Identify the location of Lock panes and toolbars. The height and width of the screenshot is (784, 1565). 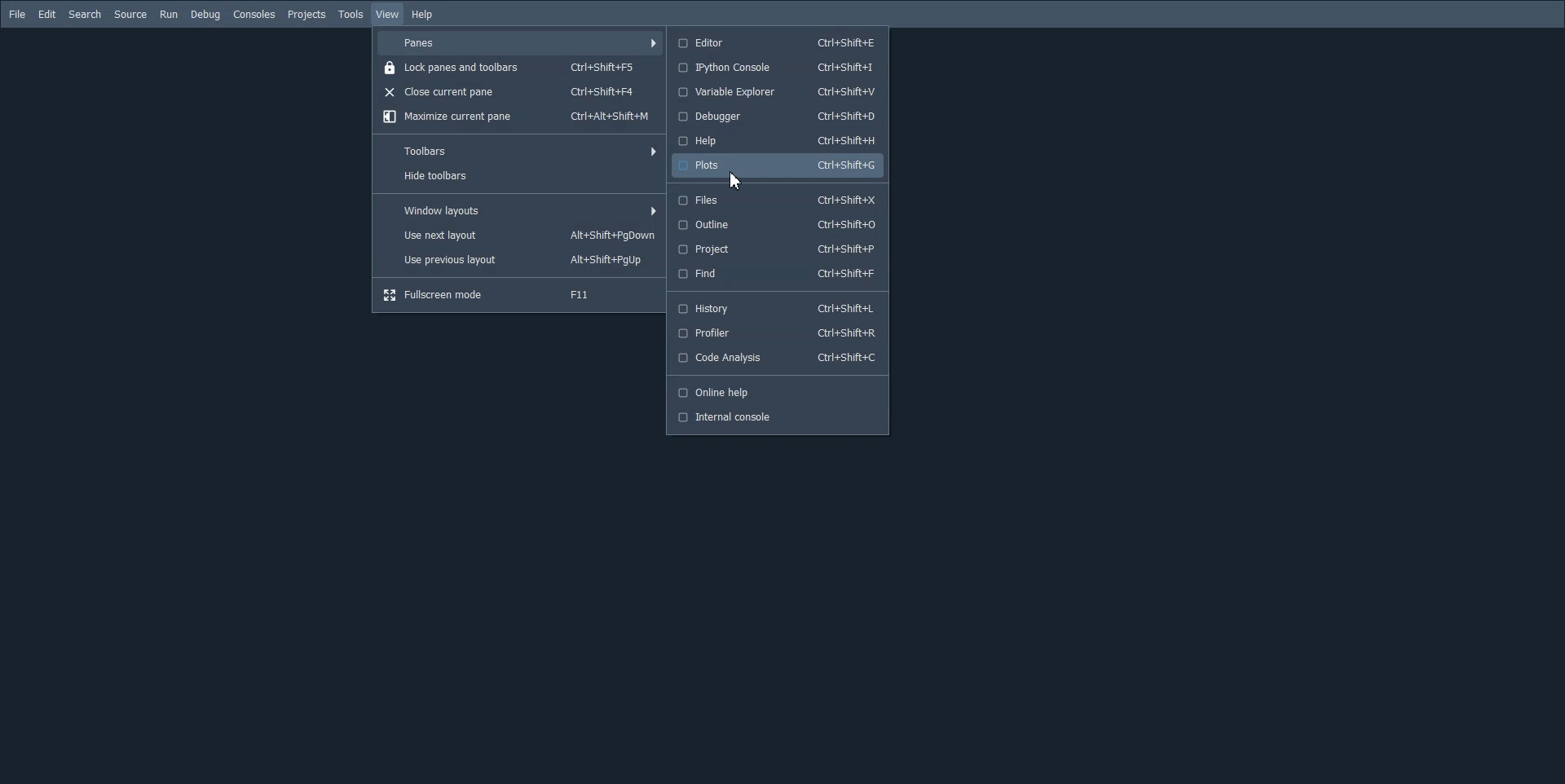
(519, 68).